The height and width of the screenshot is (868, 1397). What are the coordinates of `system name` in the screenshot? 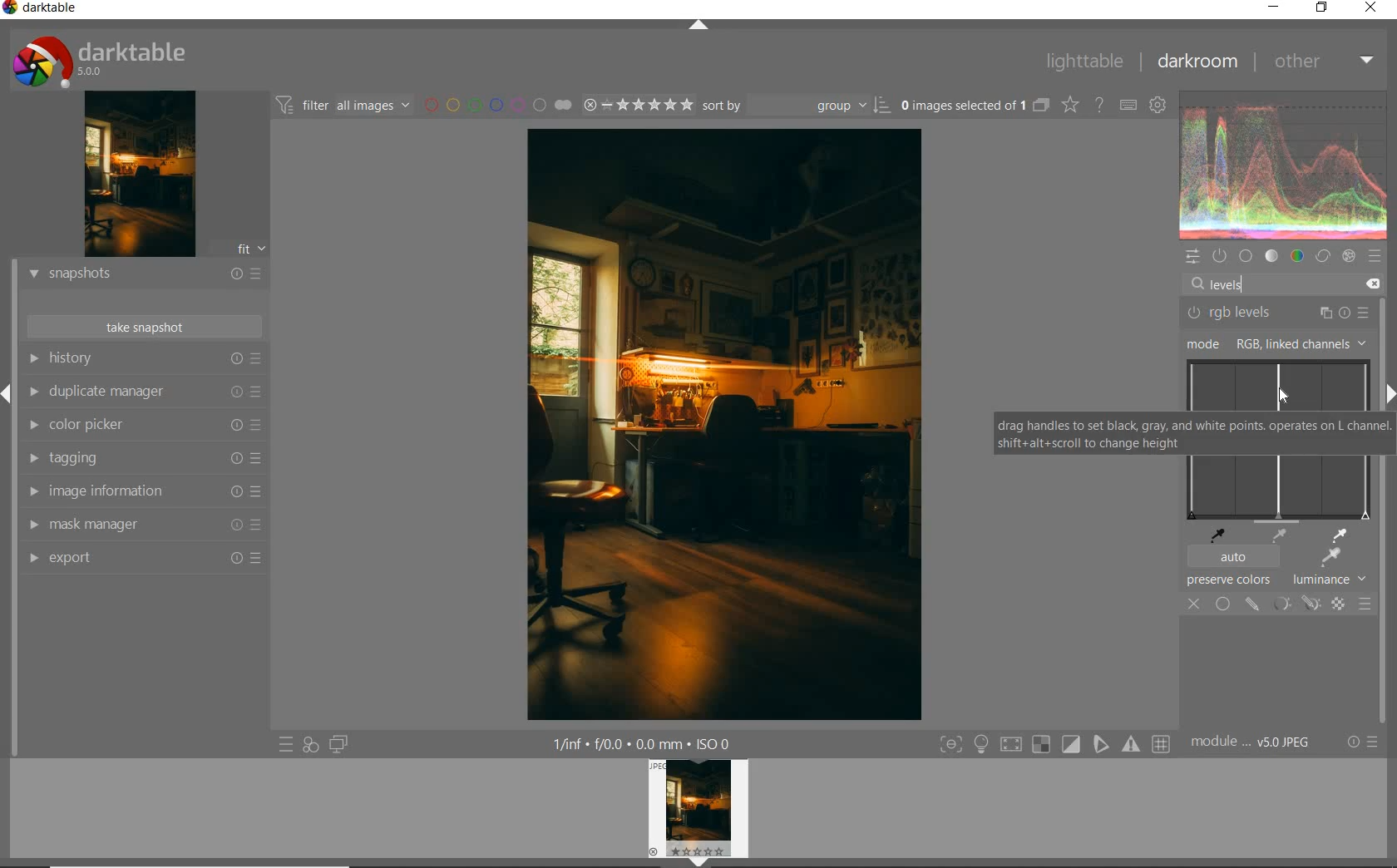 It's located at (43, 9).